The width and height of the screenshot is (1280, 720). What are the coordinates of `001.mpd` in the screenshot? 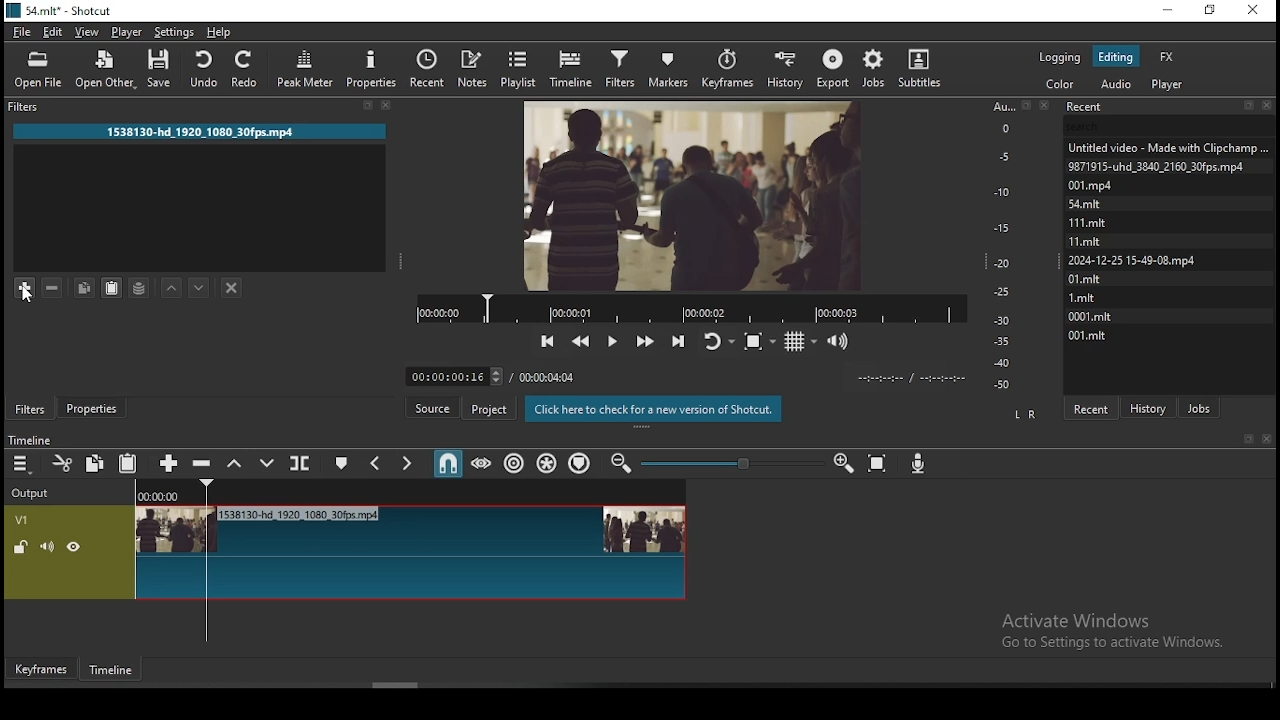 It's located at (1092, 185).